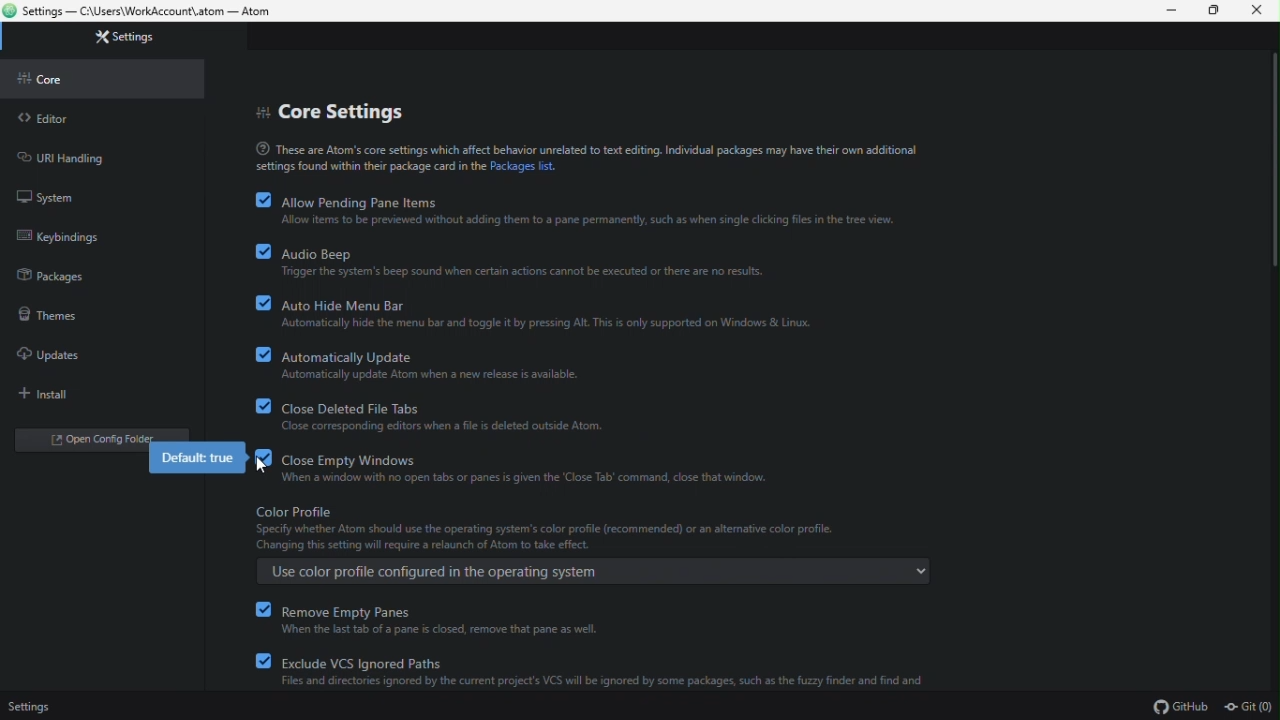 Image resolution: width=1280 pixels, height=720 pixels. Describe the element at coordinates (537, 262) in the screenshot. I see `audio beep` at that location.